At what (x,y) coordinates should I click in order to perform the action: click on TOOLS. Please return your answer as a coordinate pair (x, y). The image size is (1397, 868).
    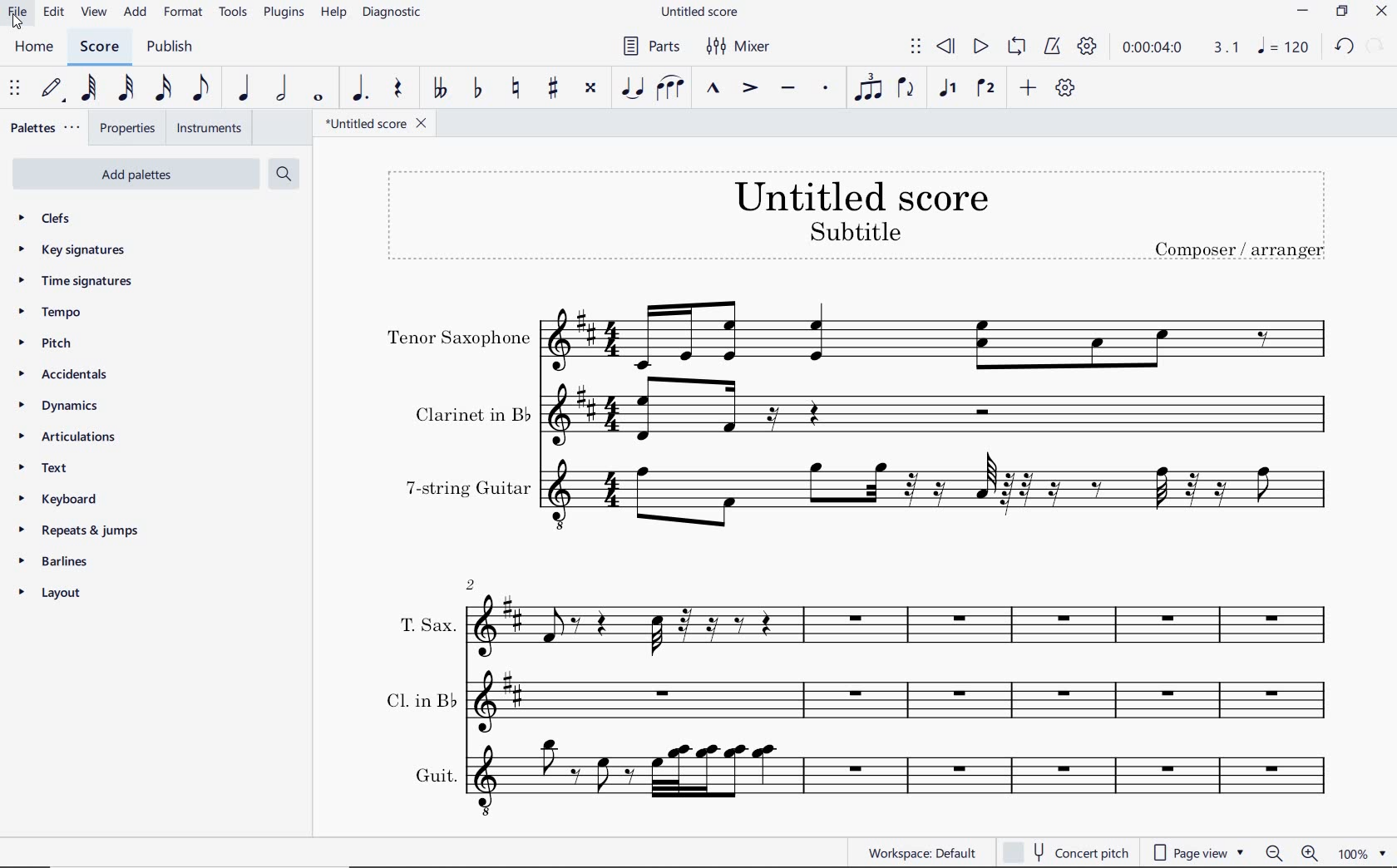
    Looking at the image, I should click on (234, 13).